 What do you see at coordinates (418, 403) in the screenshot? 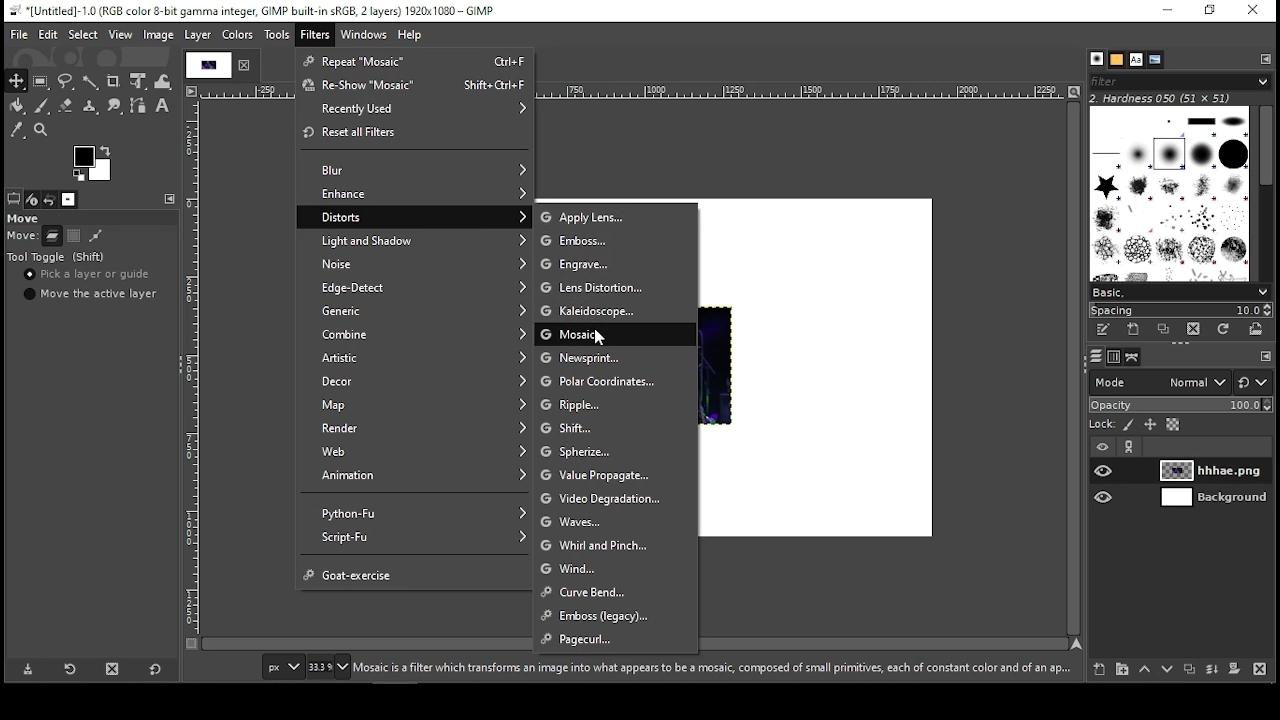
I see `map` at bounding box center [418, 403].